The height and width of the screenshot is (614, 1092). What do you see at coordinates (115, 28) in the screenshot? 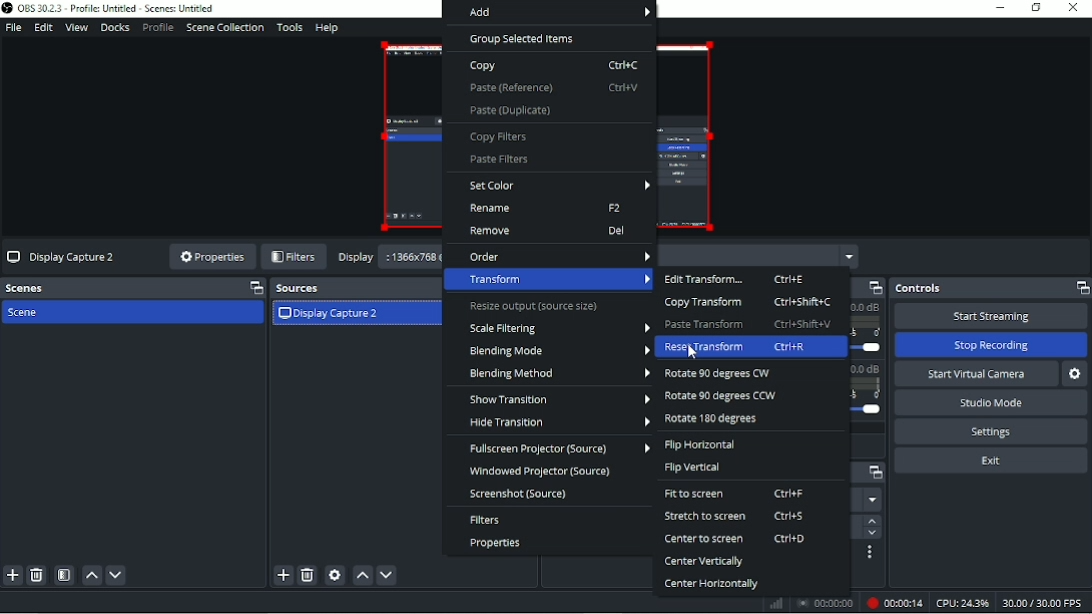
I see `Docks` at bounding box center [115, 28].